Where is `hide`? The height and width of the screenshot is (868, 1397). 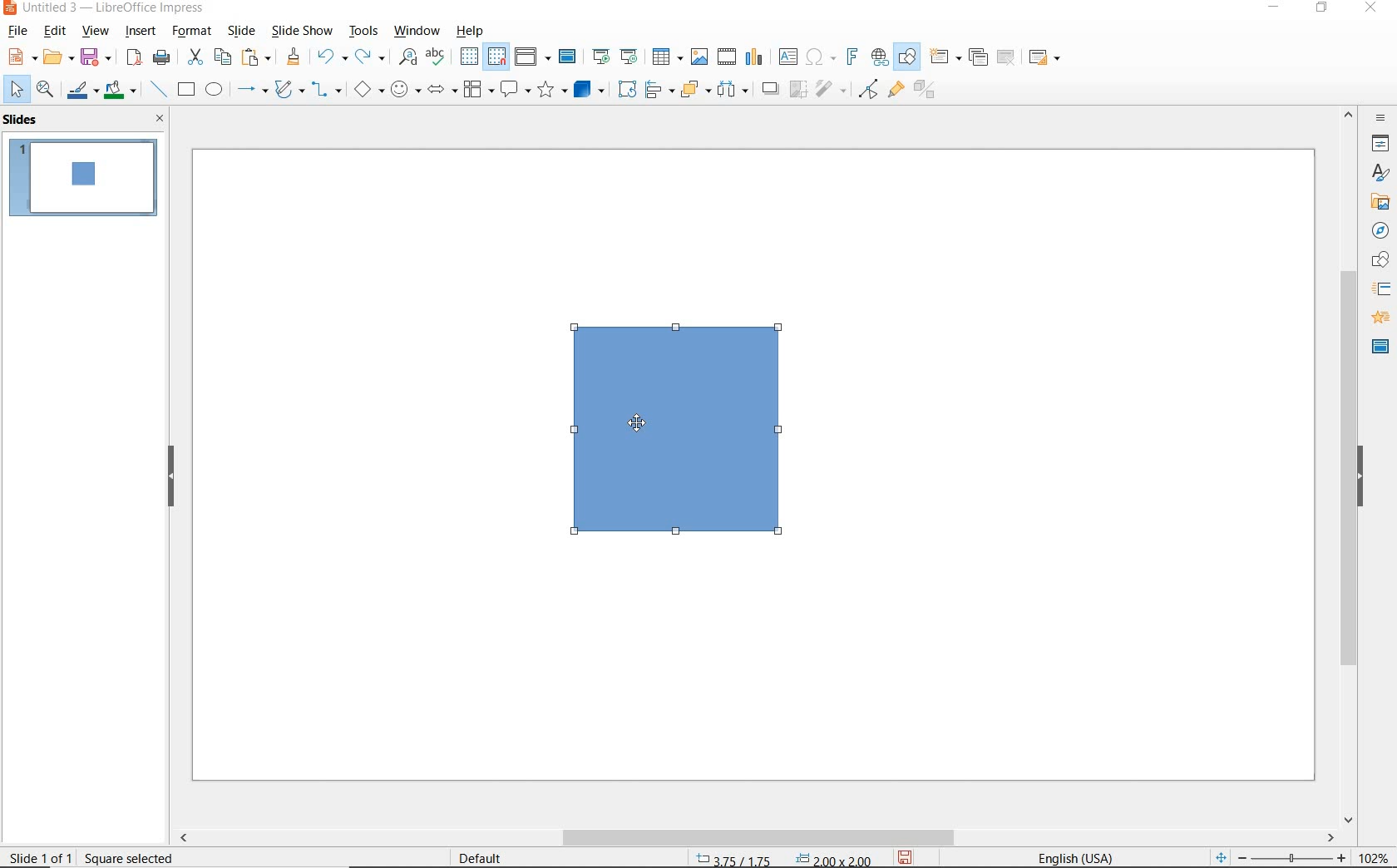
hide is located at coordinates (170, 476).